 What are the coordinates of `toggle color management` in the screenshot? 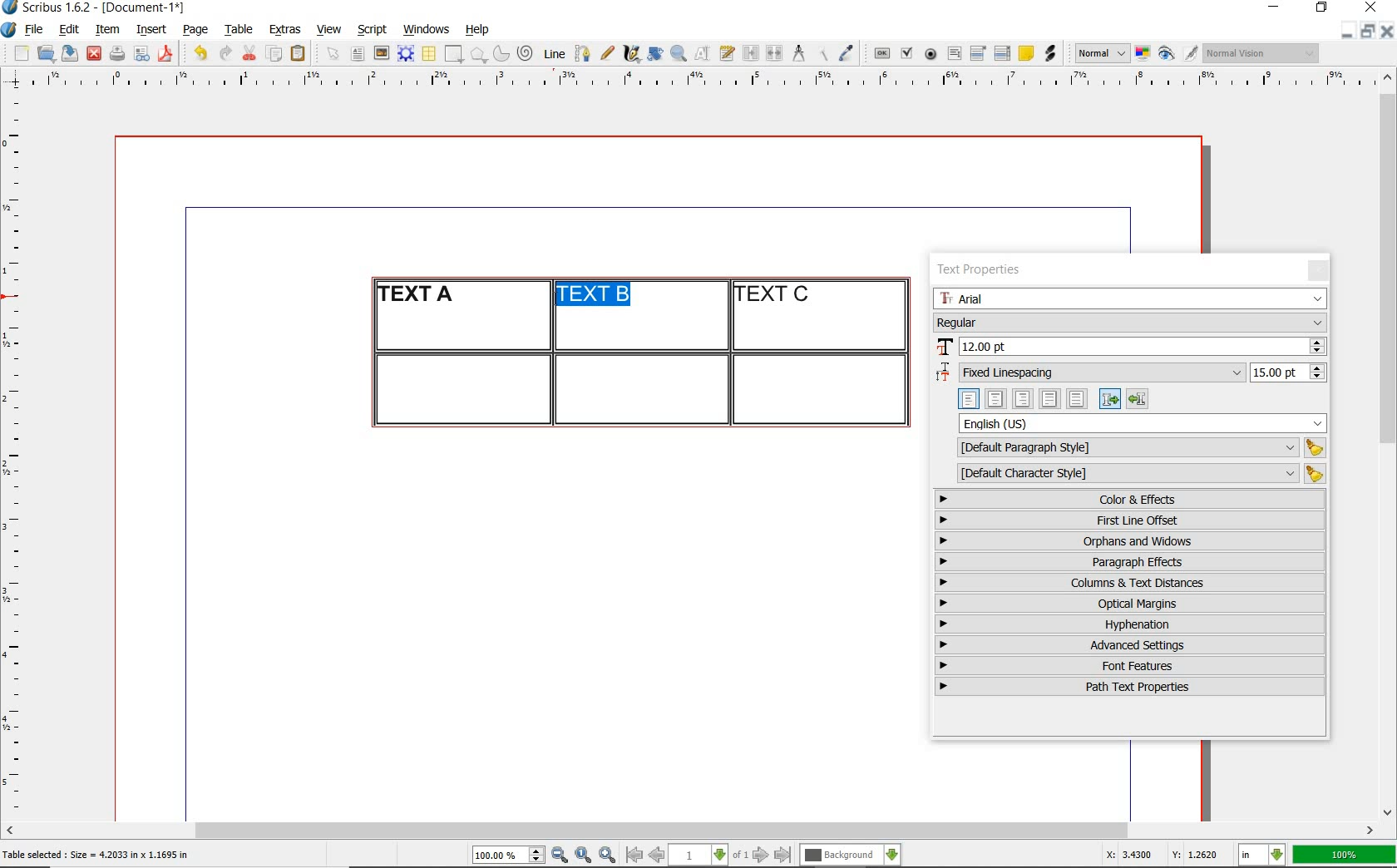 It's located at (1144, 55).